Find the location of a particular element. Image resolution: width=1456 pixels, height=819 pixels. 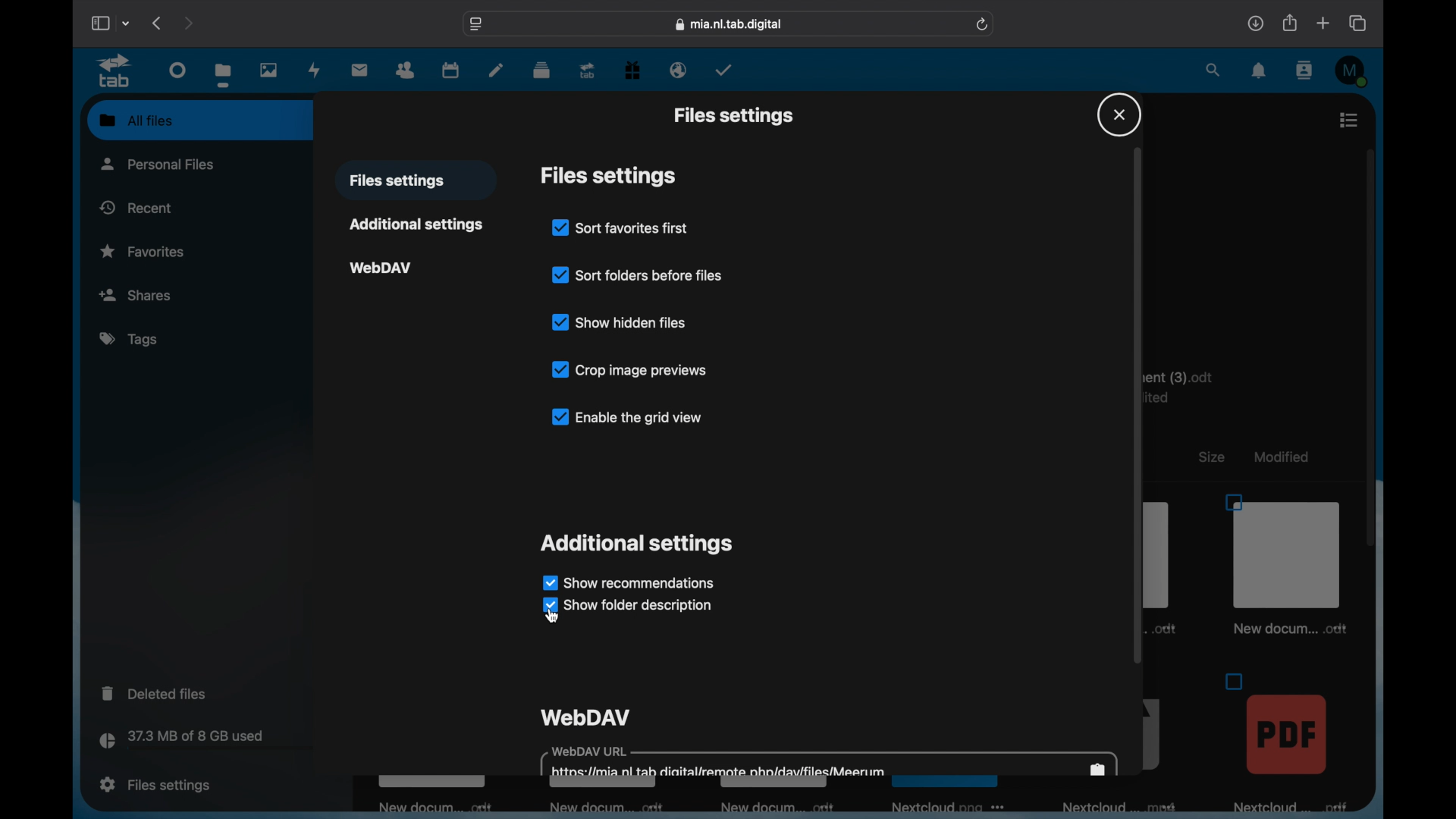

free trial is located at coordinates (632, 69).